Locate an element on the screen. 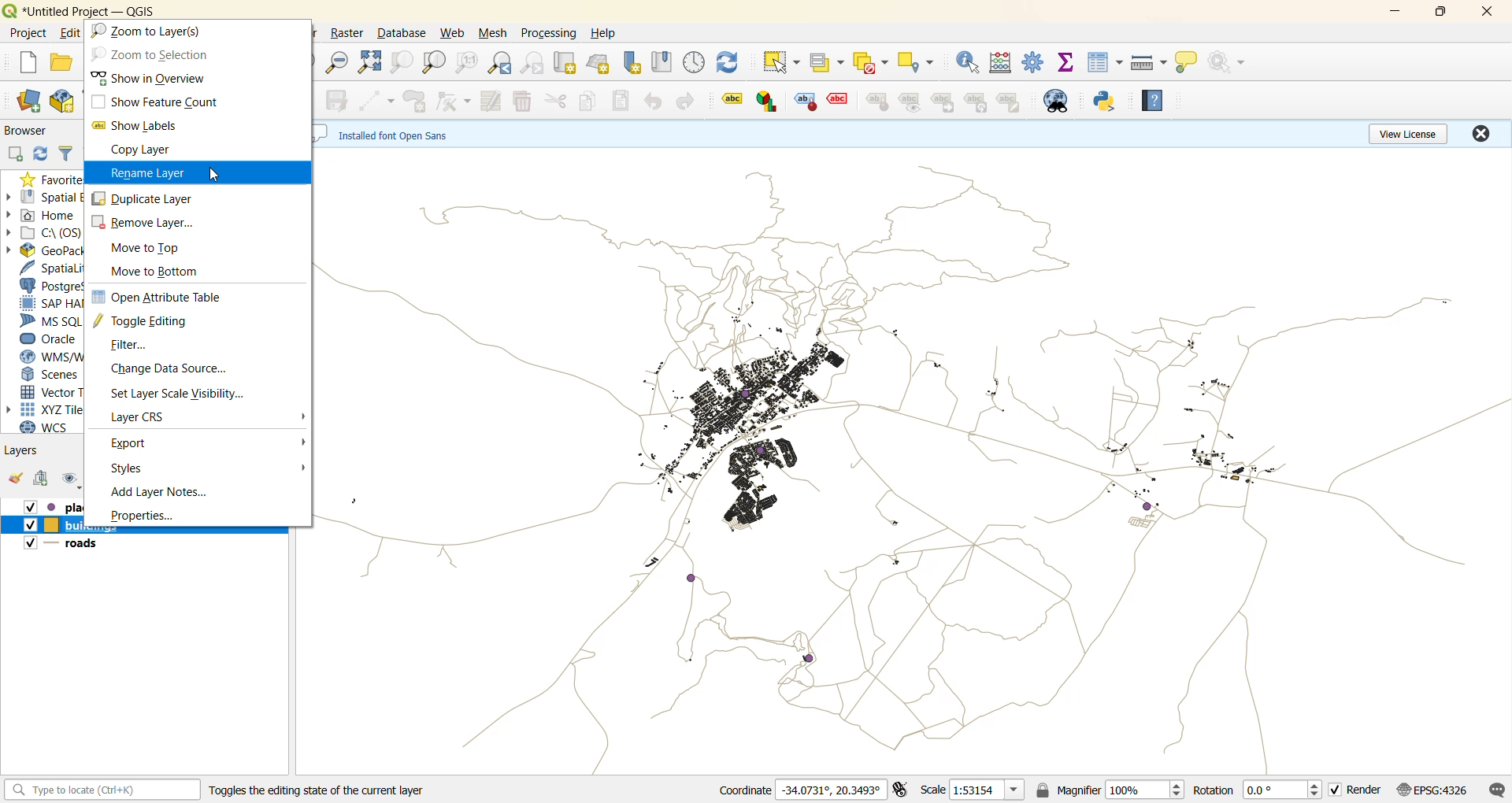 Image resolution: width=1512 pixels, height=803 pixels. select is located at coordinates (780, 62).